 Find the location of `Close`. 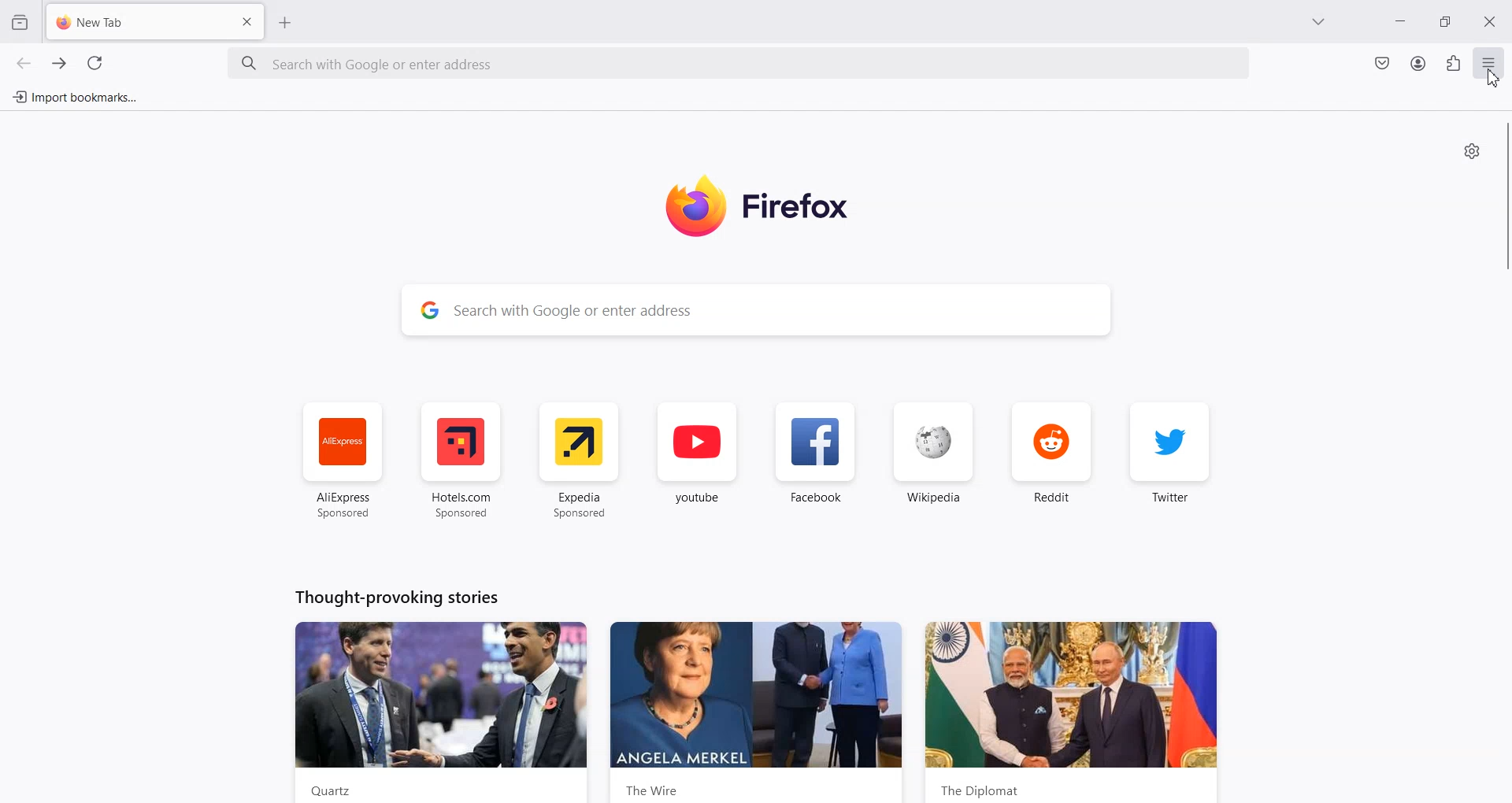

Close is located at coordinates (1489, 20).